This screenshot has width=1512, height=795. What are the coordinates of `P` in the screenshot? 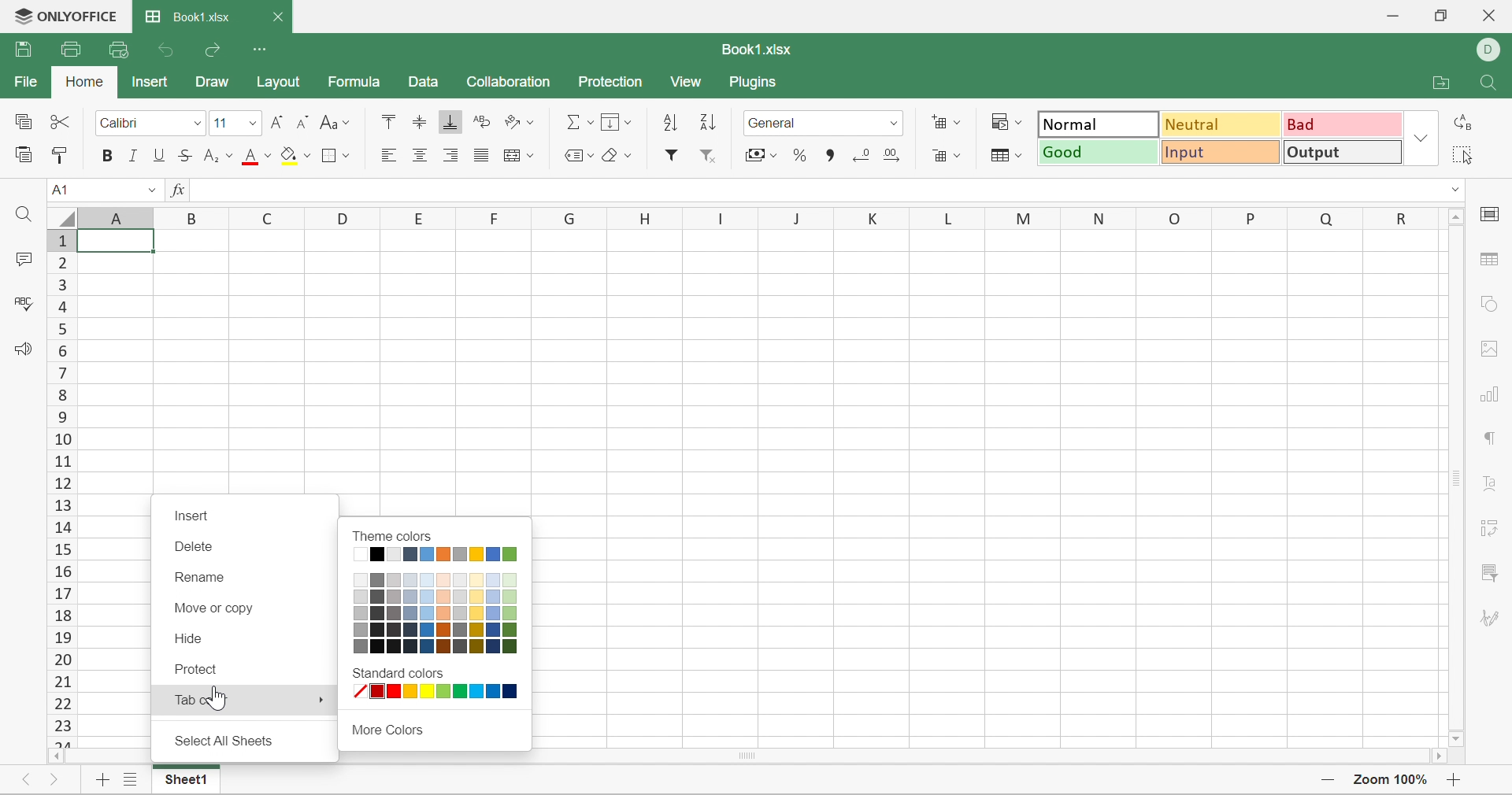 It's located at (1254, 216).